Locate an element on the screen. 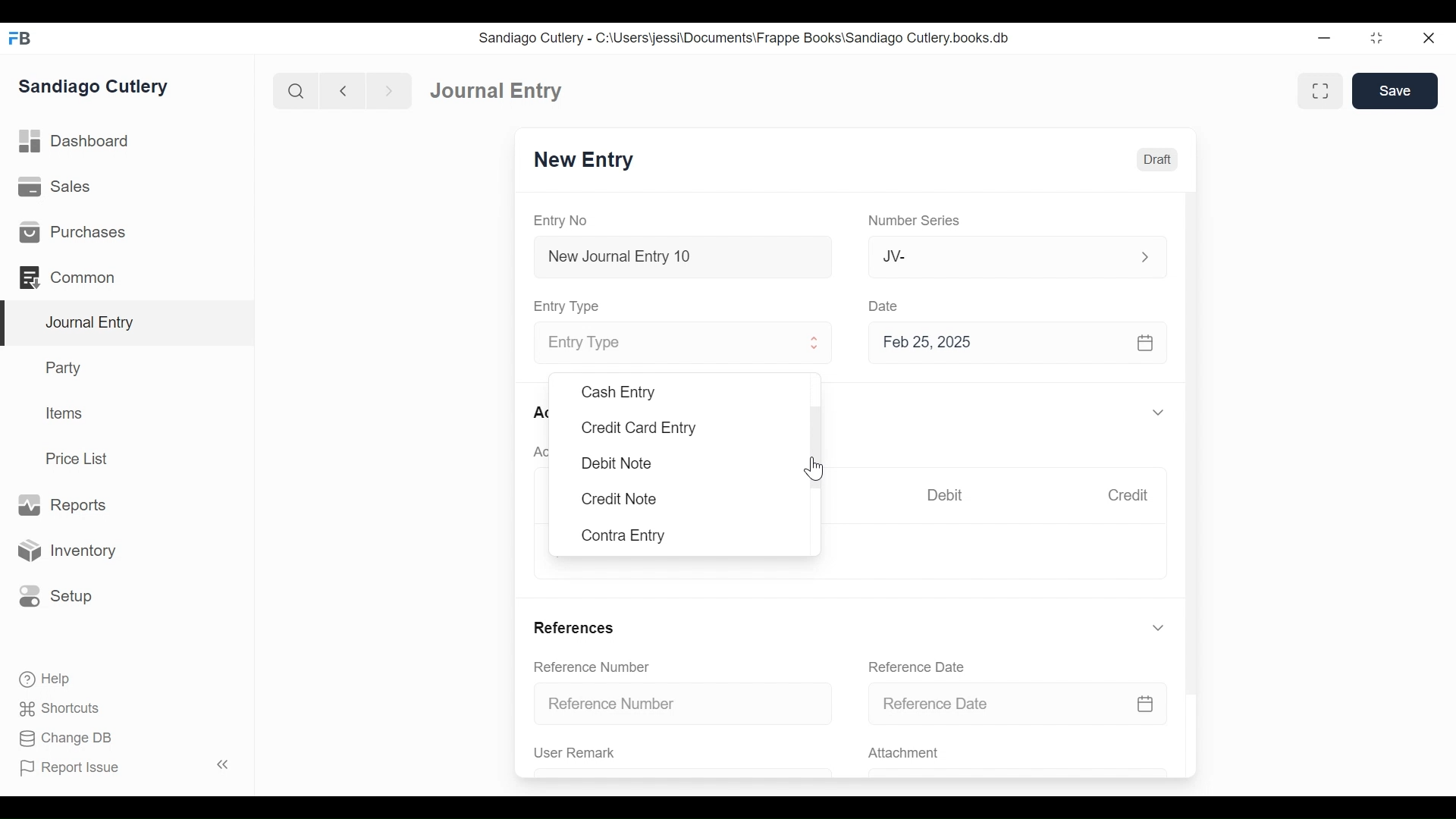  Debit is located at coordinates (949, 495).